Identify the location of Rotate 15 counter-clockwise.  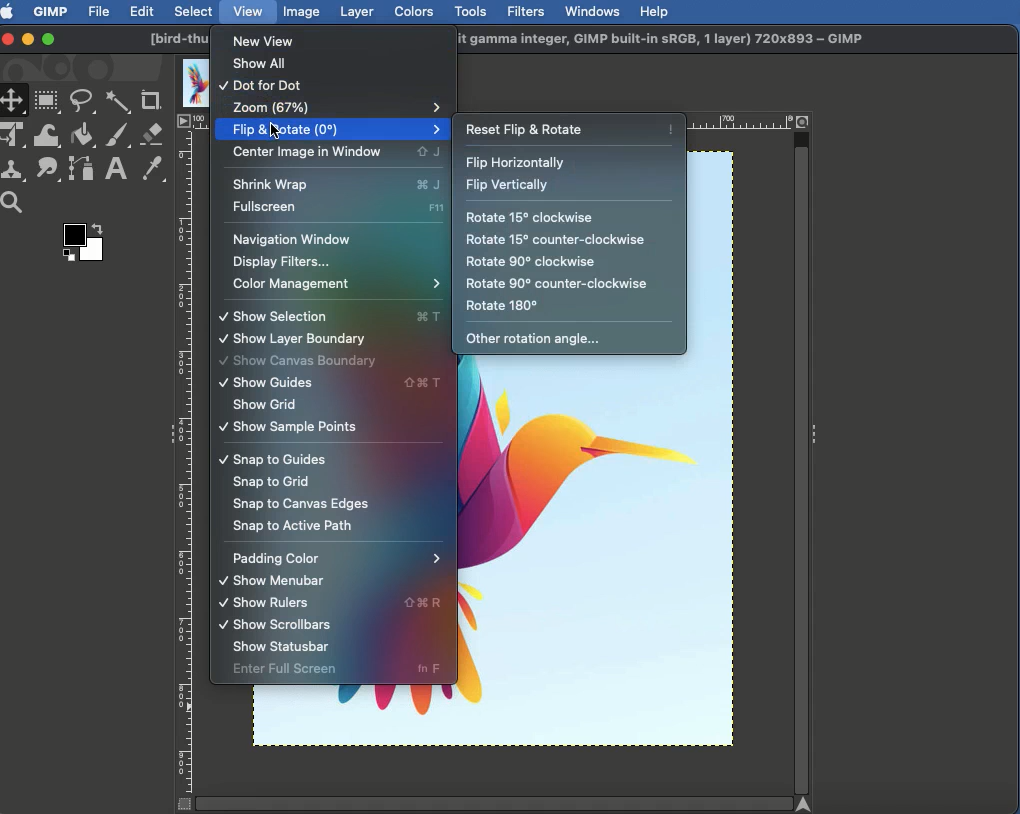
(557, 240).